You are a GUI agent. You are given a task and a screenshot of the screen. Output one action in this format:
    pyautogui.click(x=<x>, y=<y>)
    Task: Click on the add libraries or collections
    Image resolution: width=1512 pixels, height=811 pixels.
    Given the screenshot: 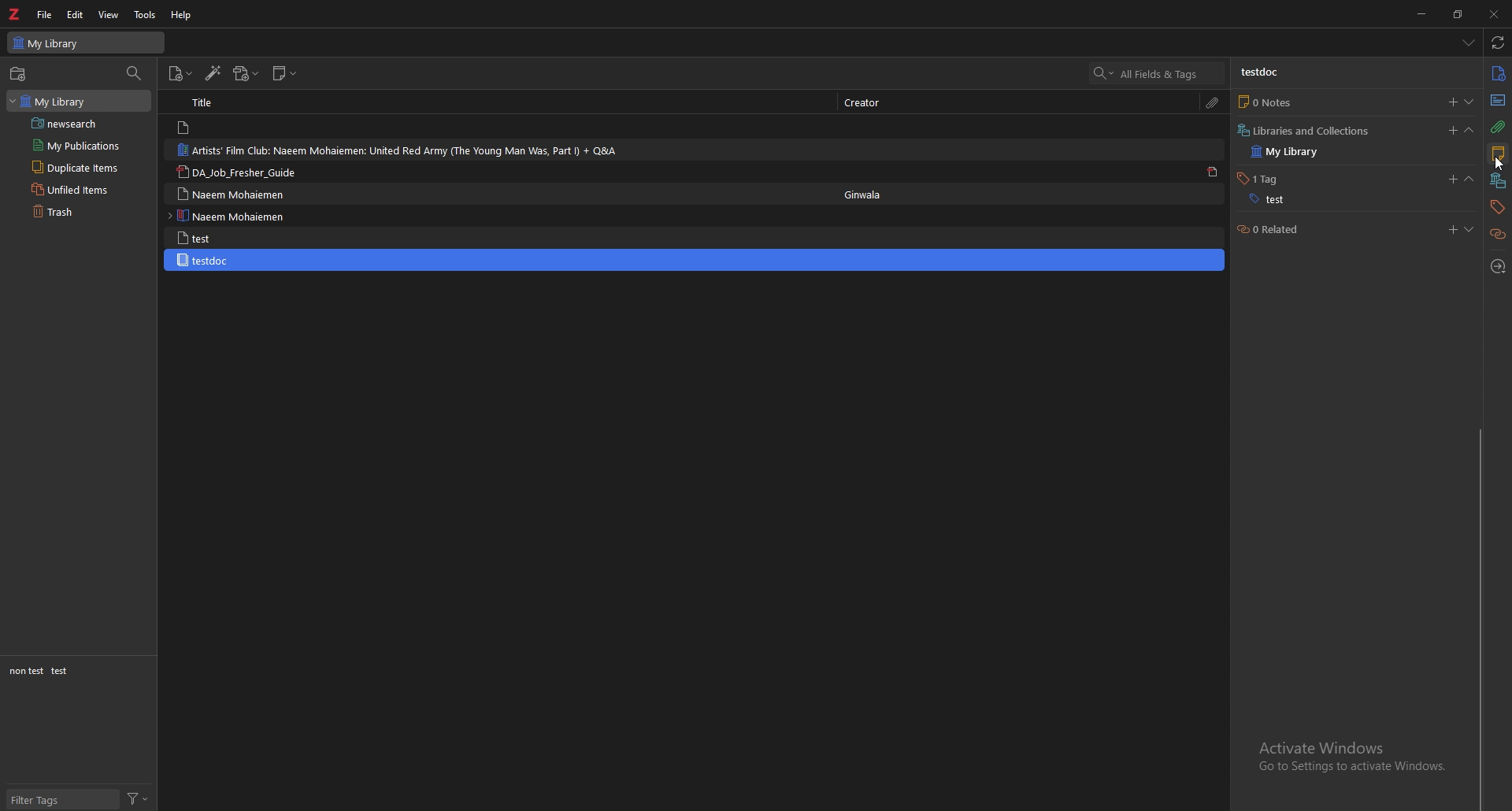 What is the action you would take?
    pyautogui.click(x=1451, y=131)
    